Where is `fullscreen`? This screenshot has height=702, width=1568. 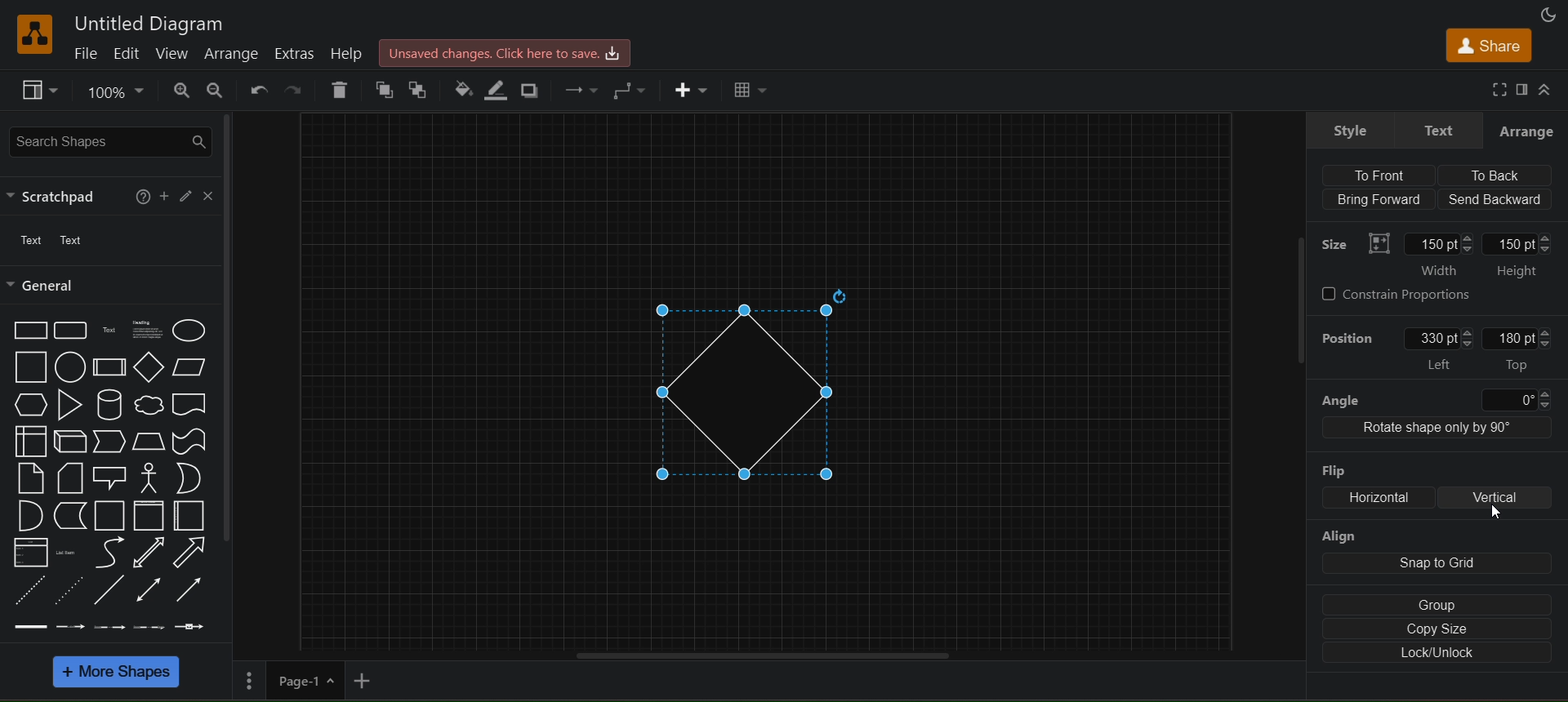
fullscreen is located at coordinates (1499, 89).